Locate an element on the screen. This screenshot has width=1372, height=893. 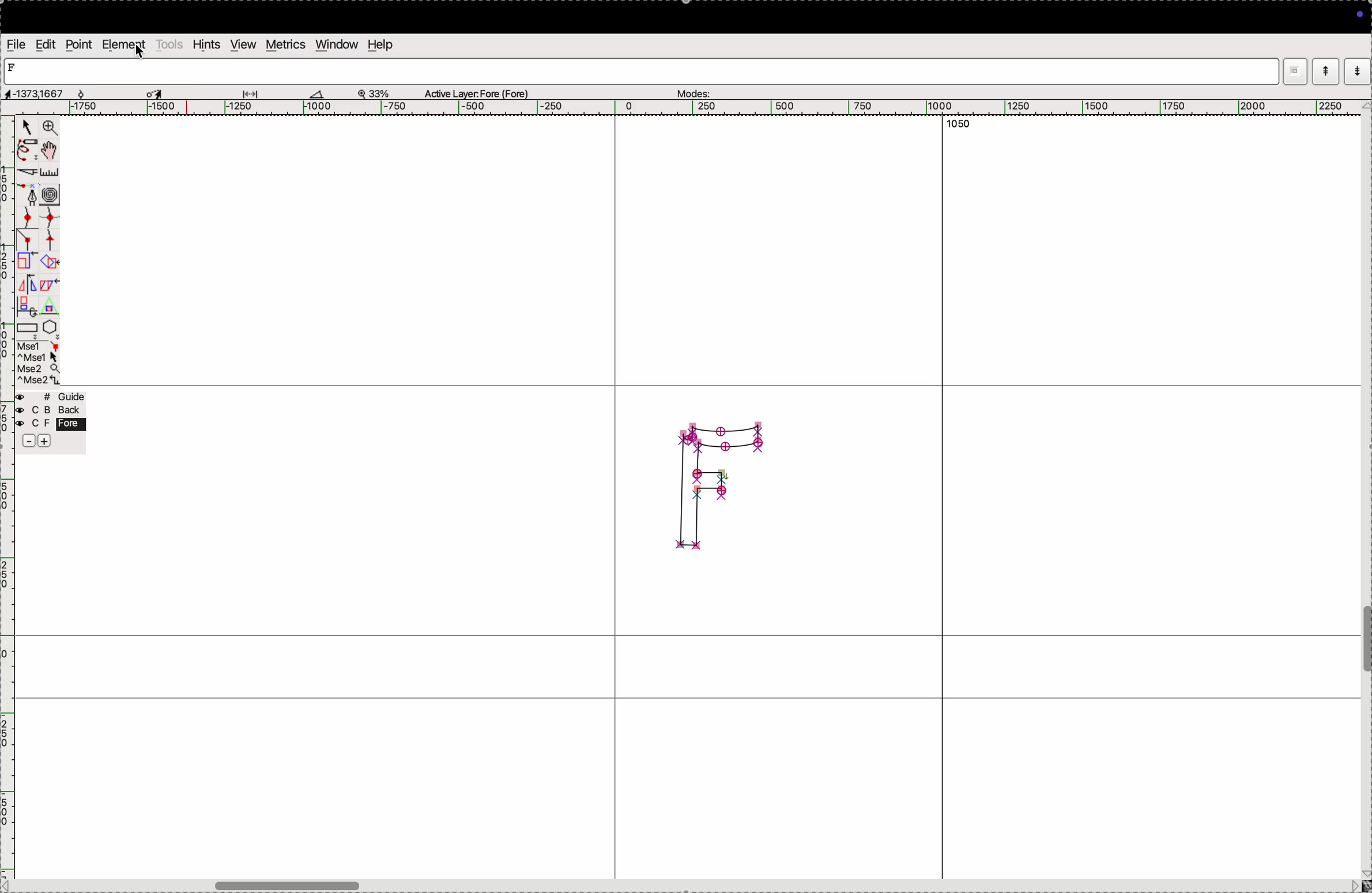
Scale the selection is located at coordinates (27, 264).